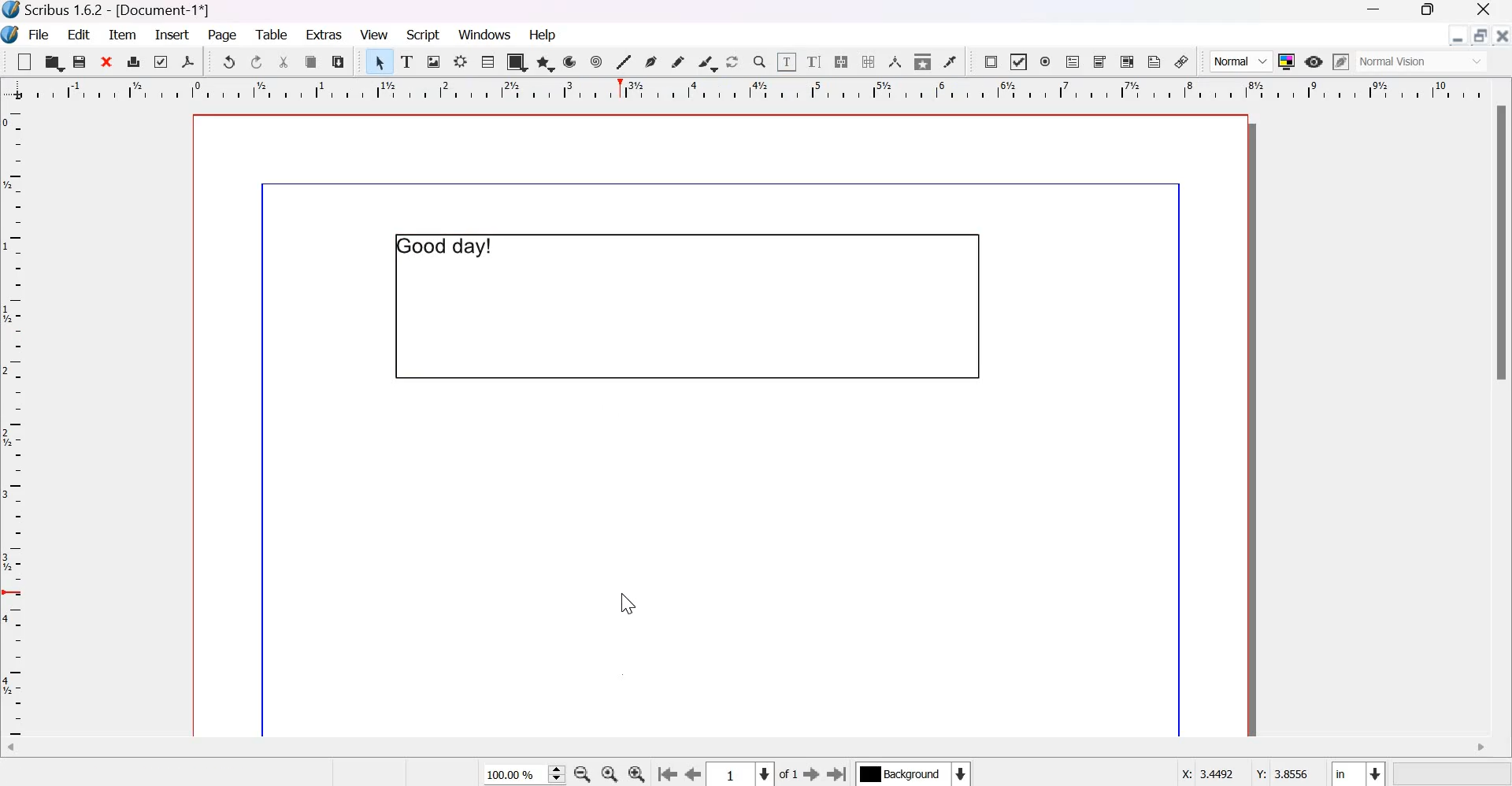 Image resolution: width=1512 pixels, height=786 pixels. Describe the element at coordinates (435, 61) in the screenshot. I see `image render` at that location.